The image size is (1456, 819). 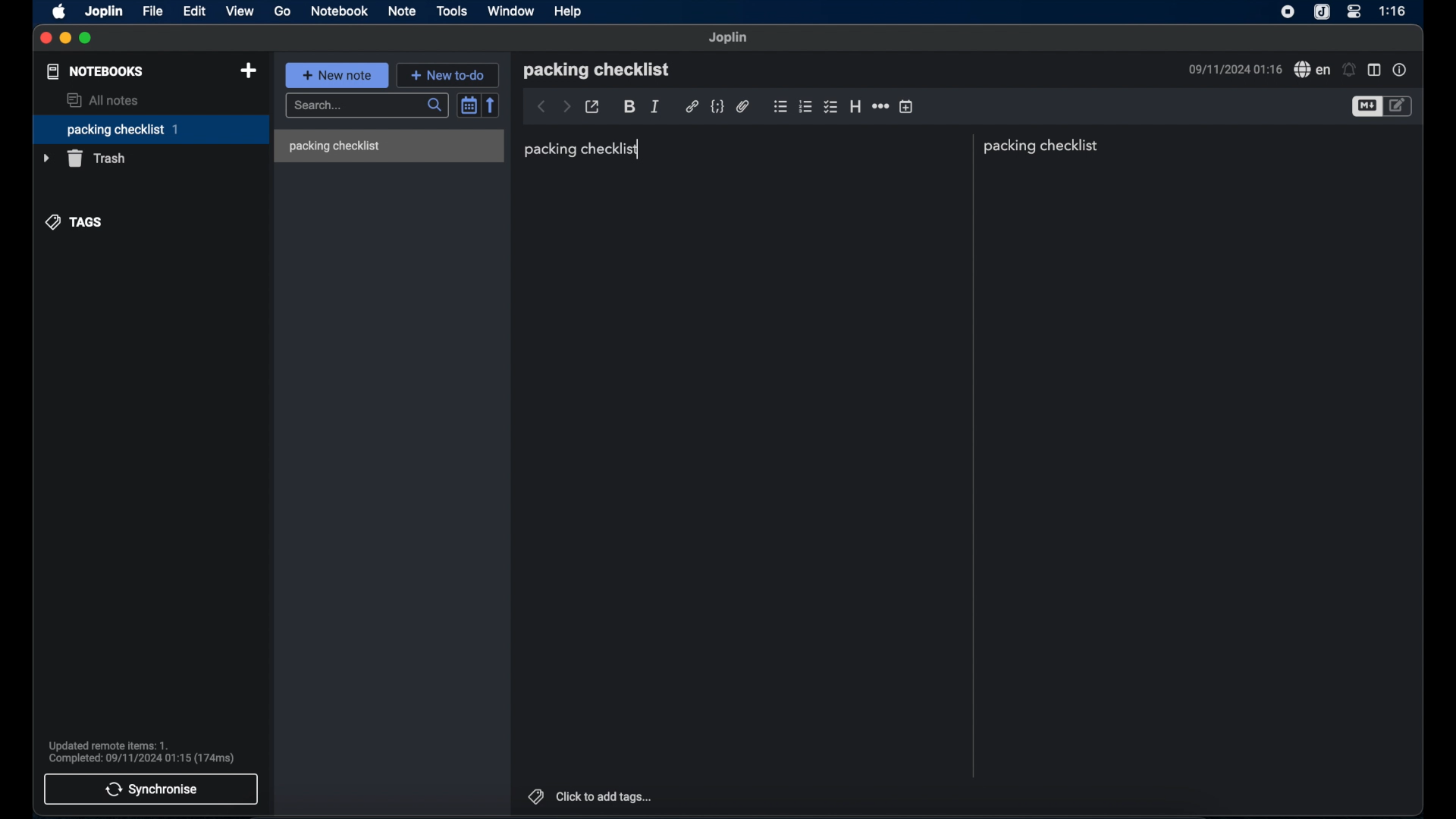 I want to click on note properties, so click(x=1401, y=70).